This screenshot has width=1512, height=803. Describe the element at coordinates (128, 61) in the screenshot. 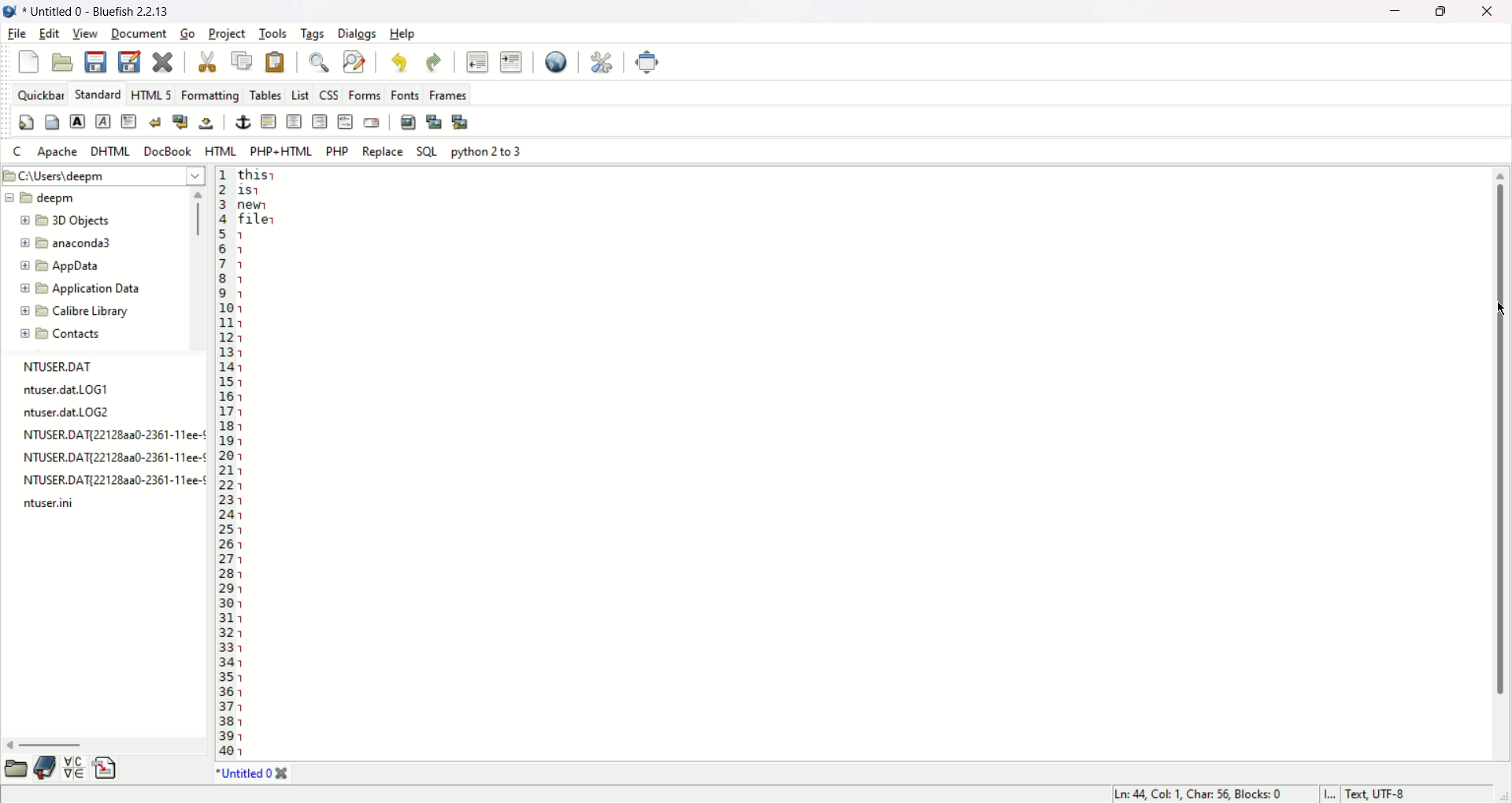

I see `save as` at that location.